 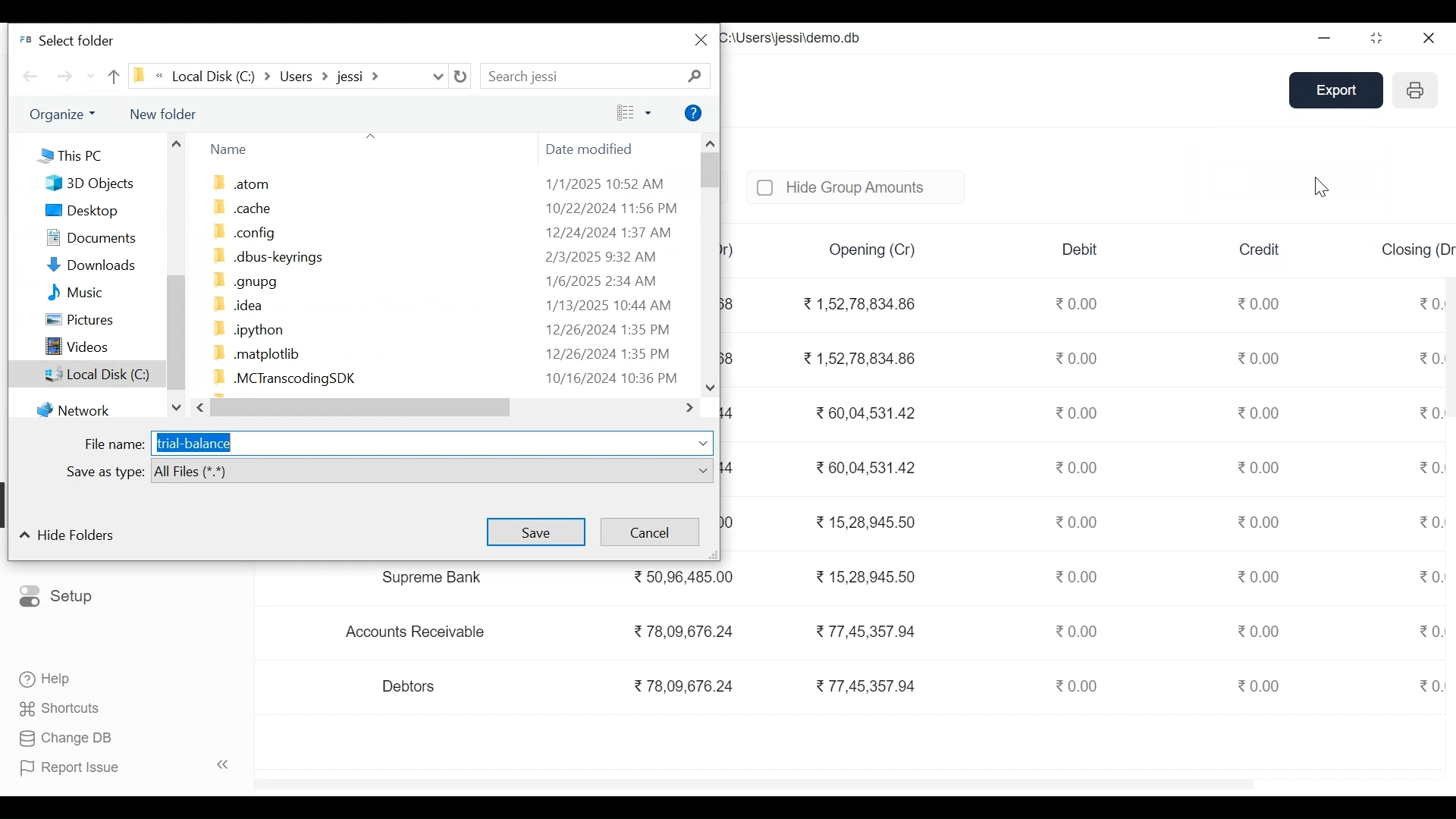 What do you see at coordinates (857, 304) in the screenshot?
I see `1,52,78,834.86` at bounding box center [857, 304].